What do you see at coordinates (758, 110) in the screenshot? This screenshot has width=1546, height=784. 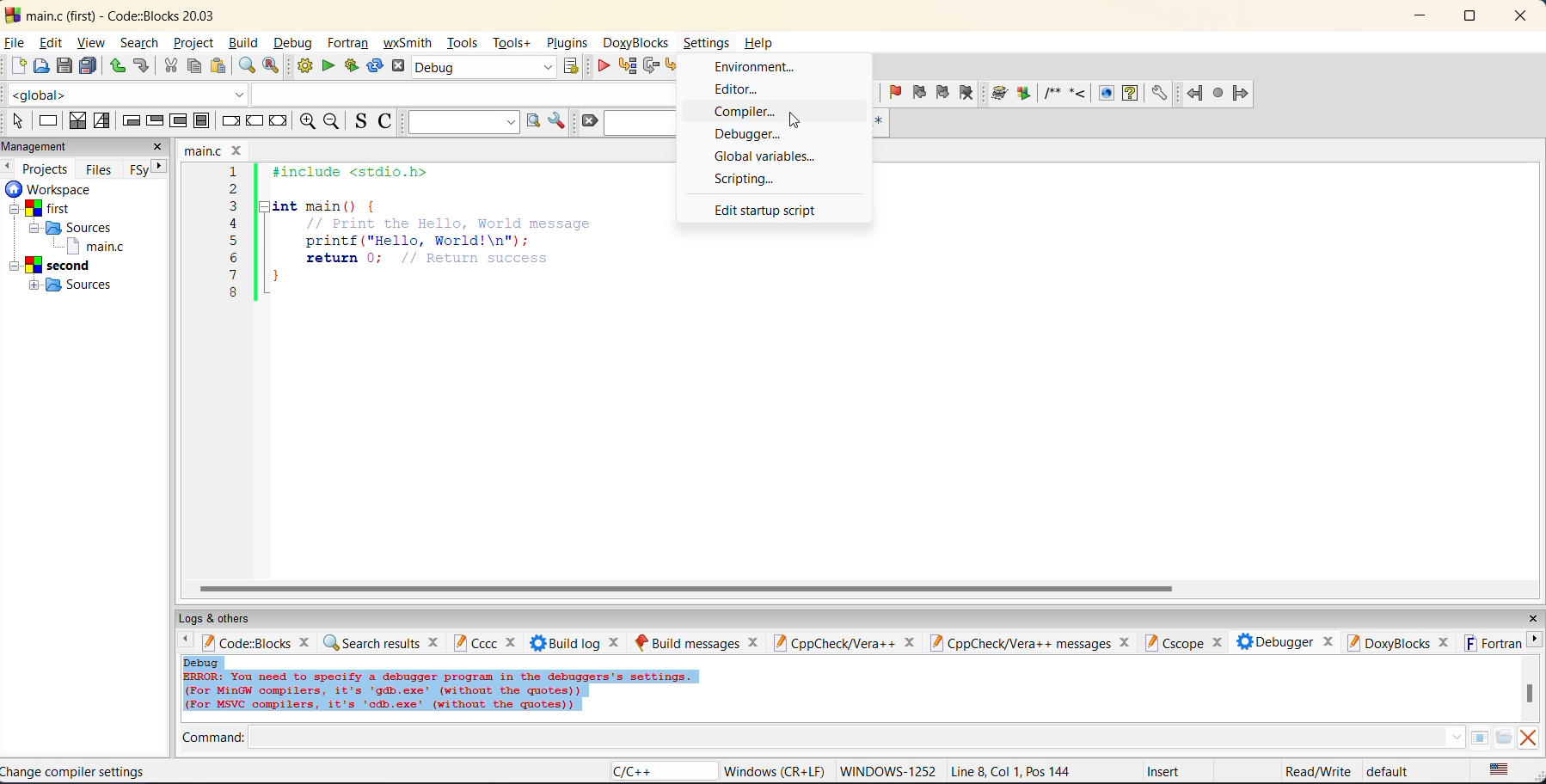 I see `compiler` at bounding box center [758, 110].